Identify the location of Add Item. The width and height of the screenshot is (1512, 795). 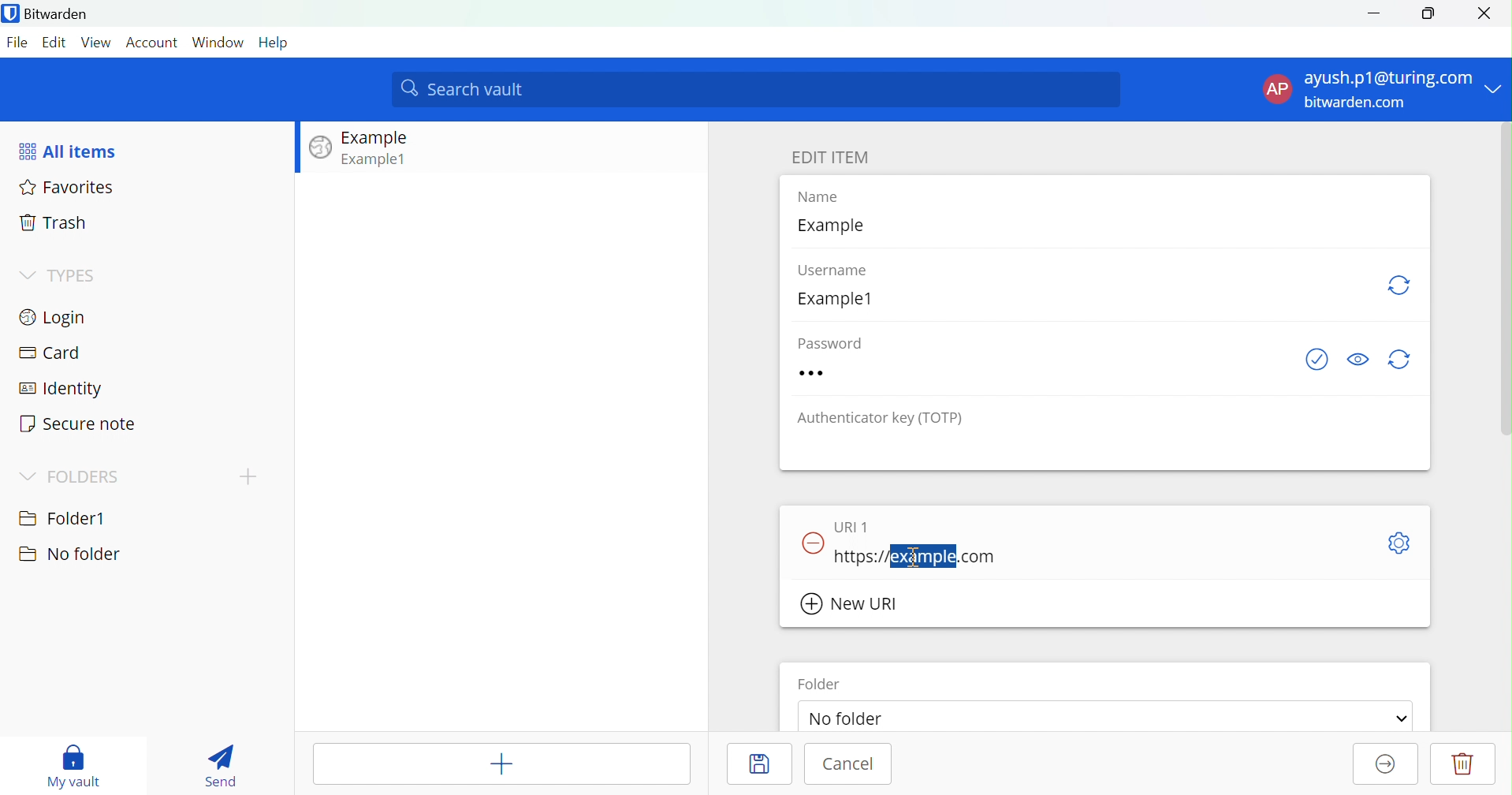
(503, 763).